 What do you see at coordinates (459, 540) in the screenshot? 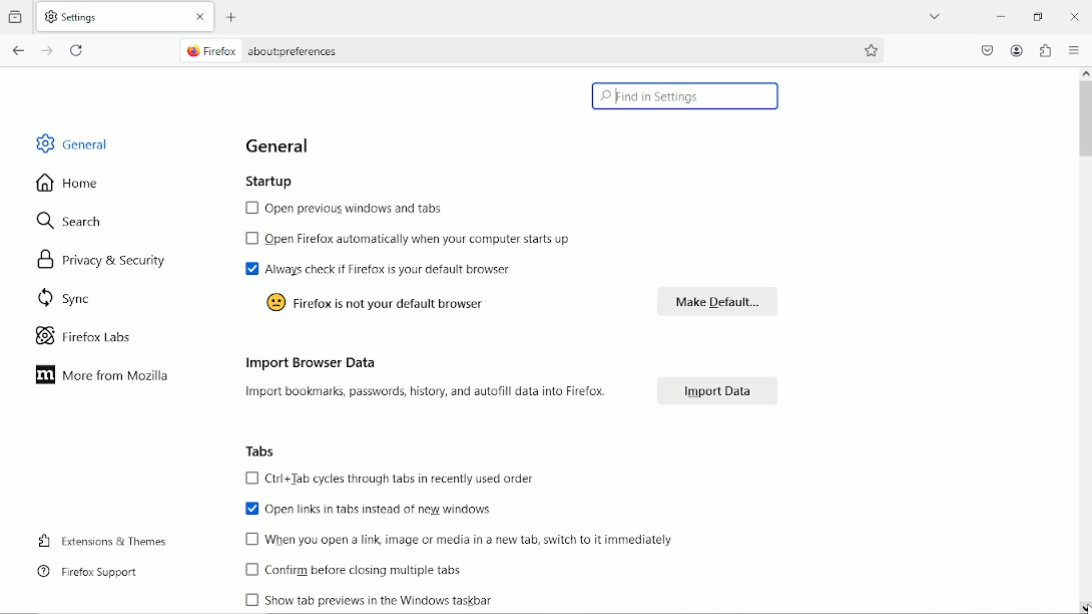
I see `When you open a link image or media in a new tab, switch to it immediately` at bounding box center [459, 540].